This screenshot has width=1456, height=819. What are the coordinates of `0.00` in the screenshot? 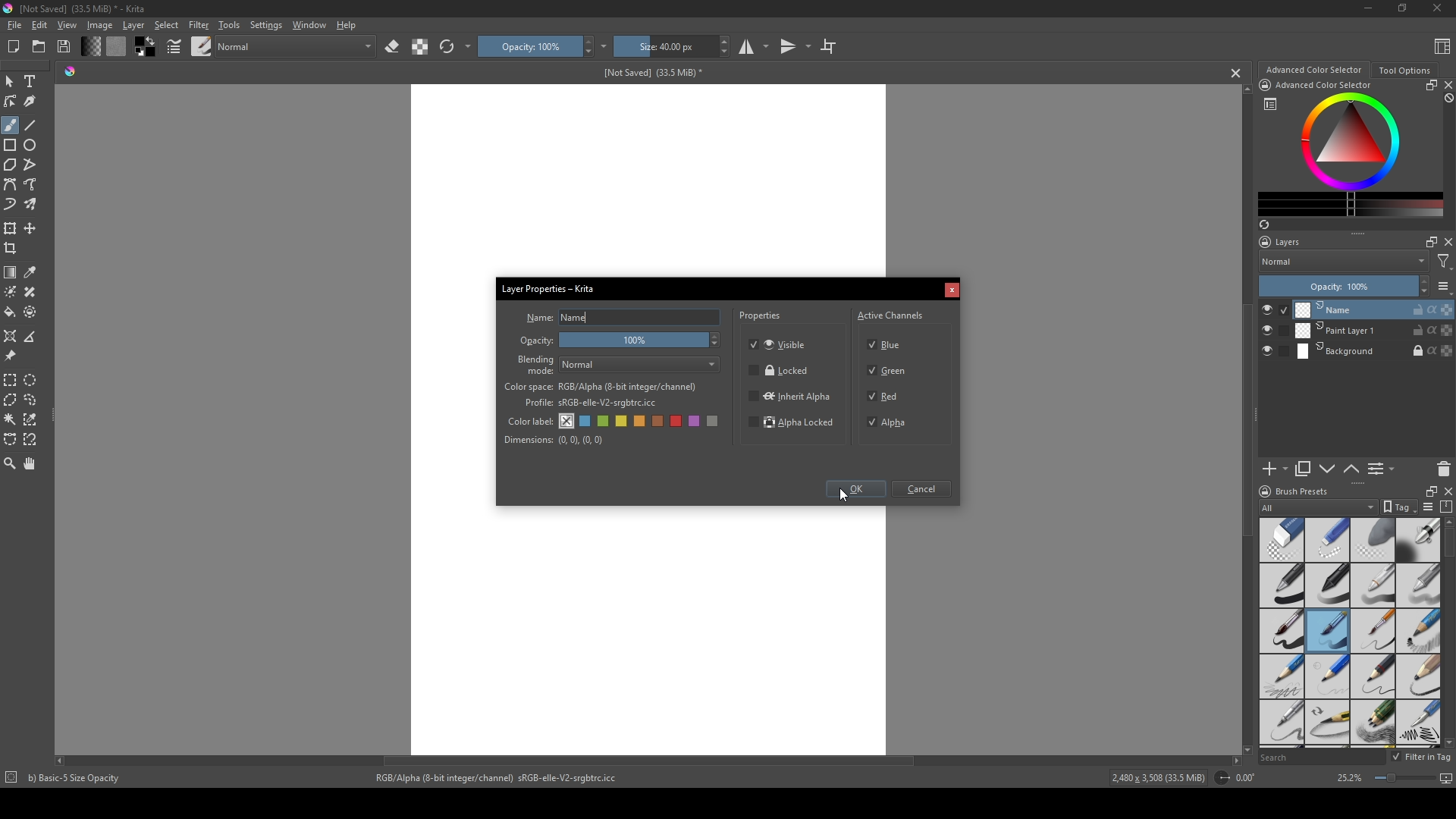 It's located at (1250, 778).